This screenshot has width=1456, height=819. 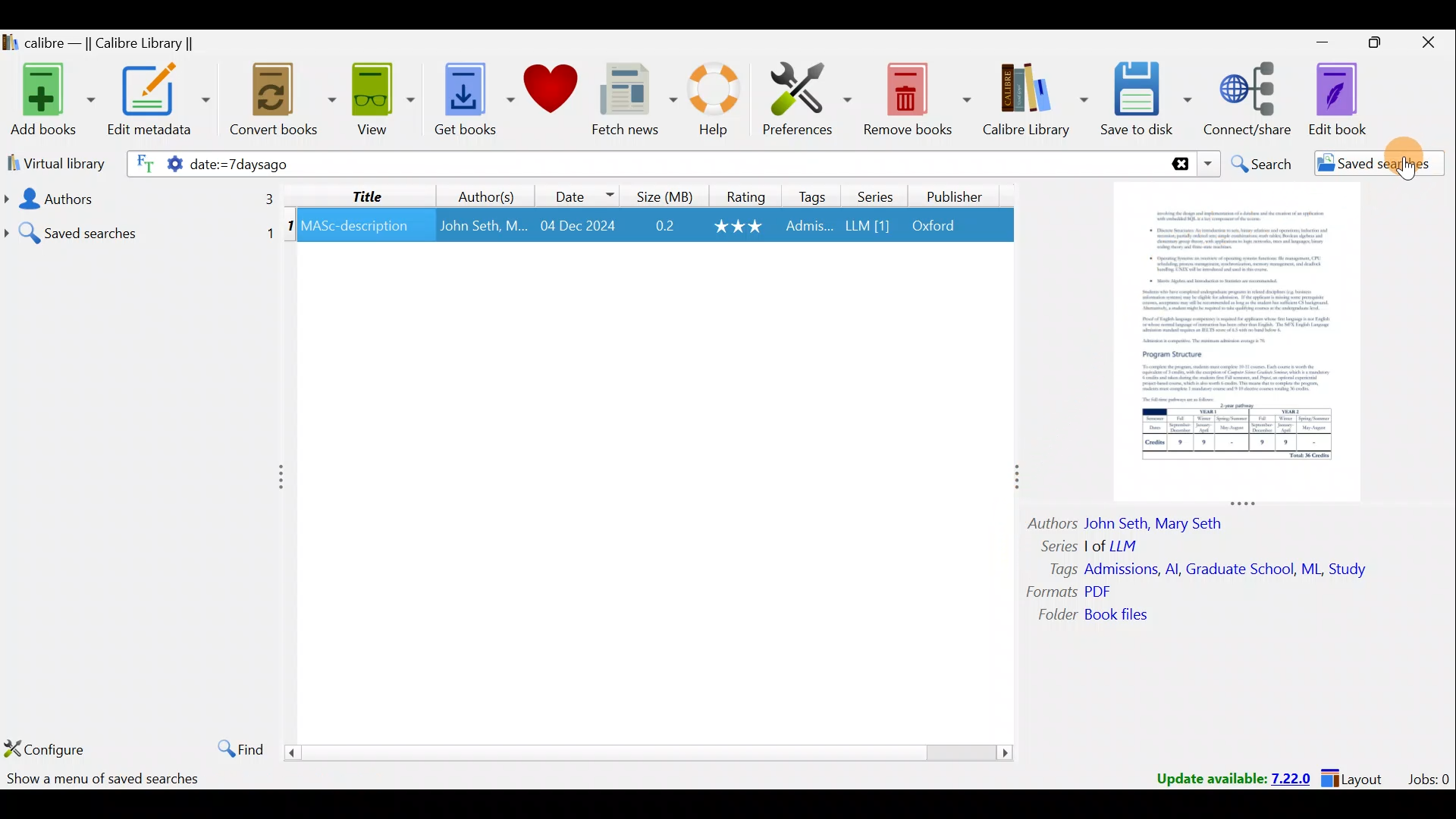 What do you see at coordinates (957, 199) in the screenshot?
I see `Publisher` at bounding box center [957, 199].